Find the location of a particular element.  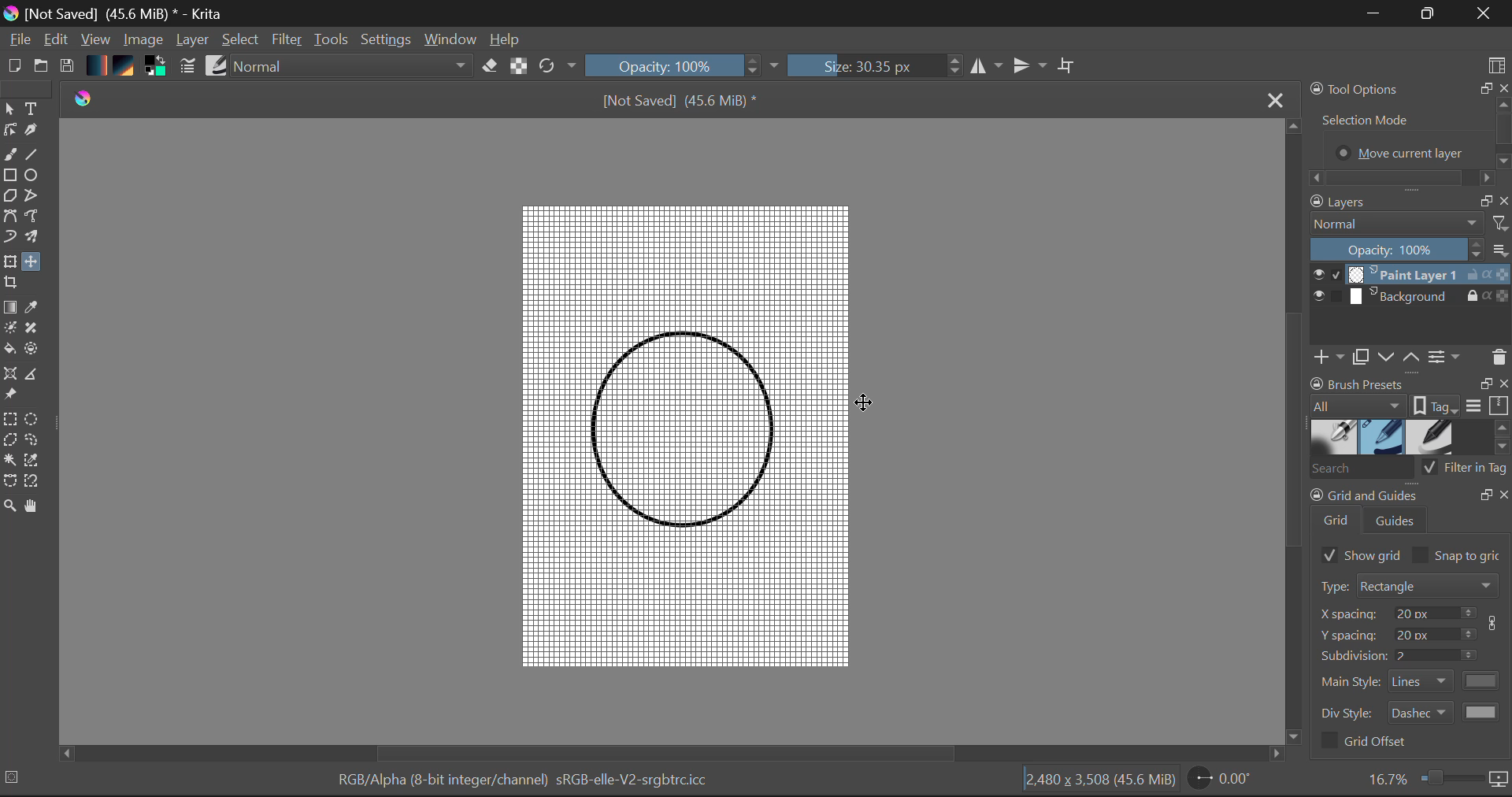

Cursor Position AFTER_LAST_ACTION is located at coordinates (864, 404).